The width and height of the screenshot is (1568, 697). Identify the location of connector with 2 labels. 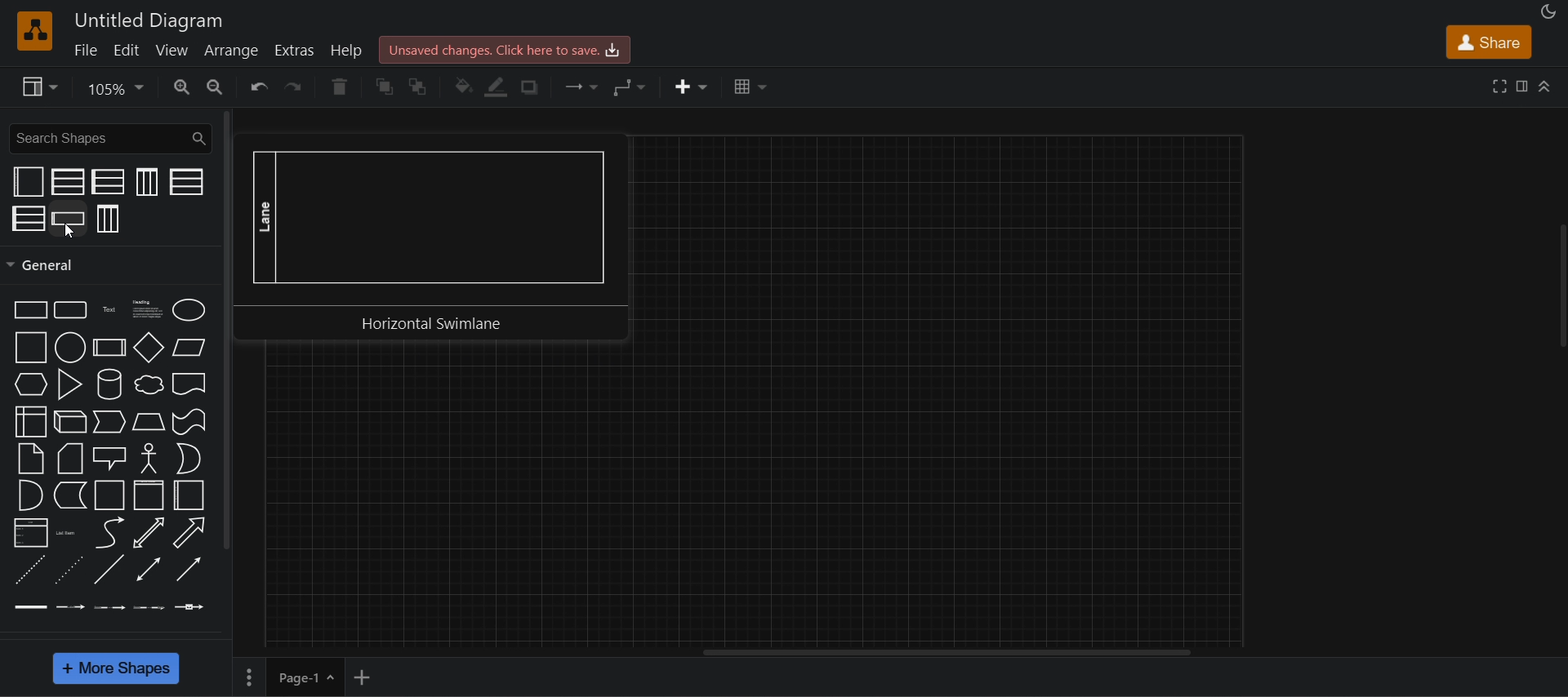
(110, 609).